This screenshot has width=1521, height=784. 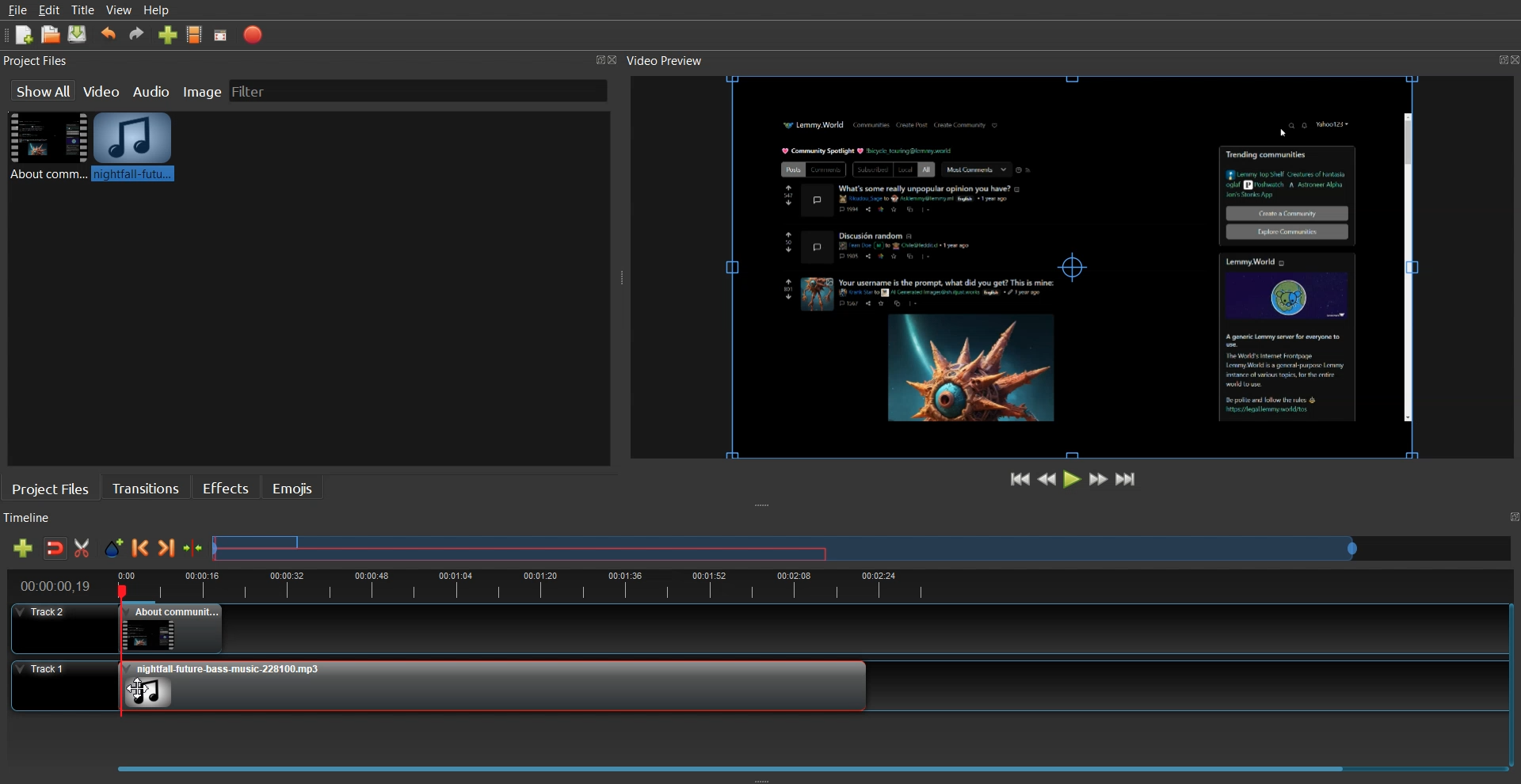 I want to click on Fast Forward, so click(x=1099, y=478).